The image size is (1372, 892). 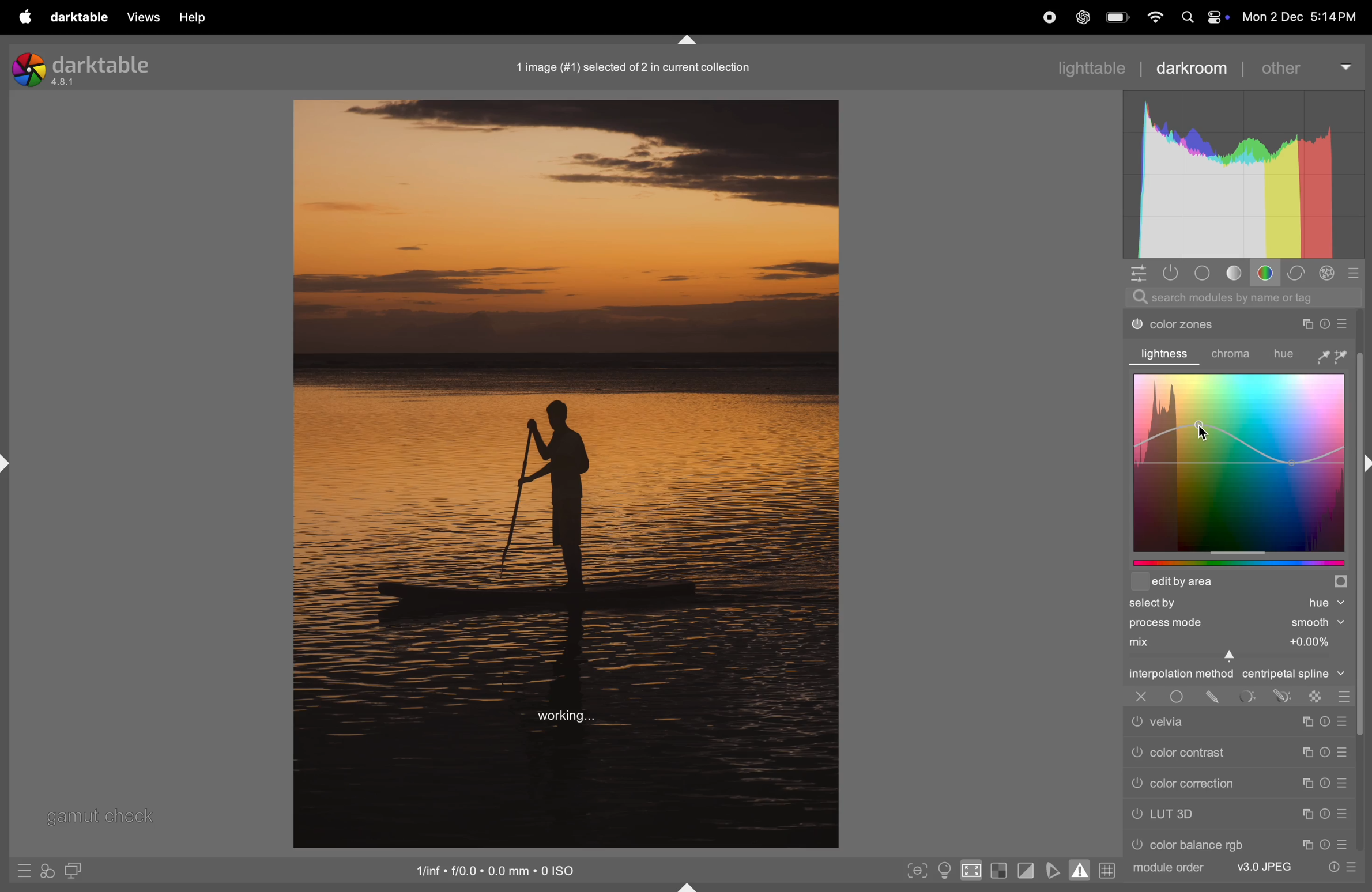 I want to click on , so click(x=1326, y=273).